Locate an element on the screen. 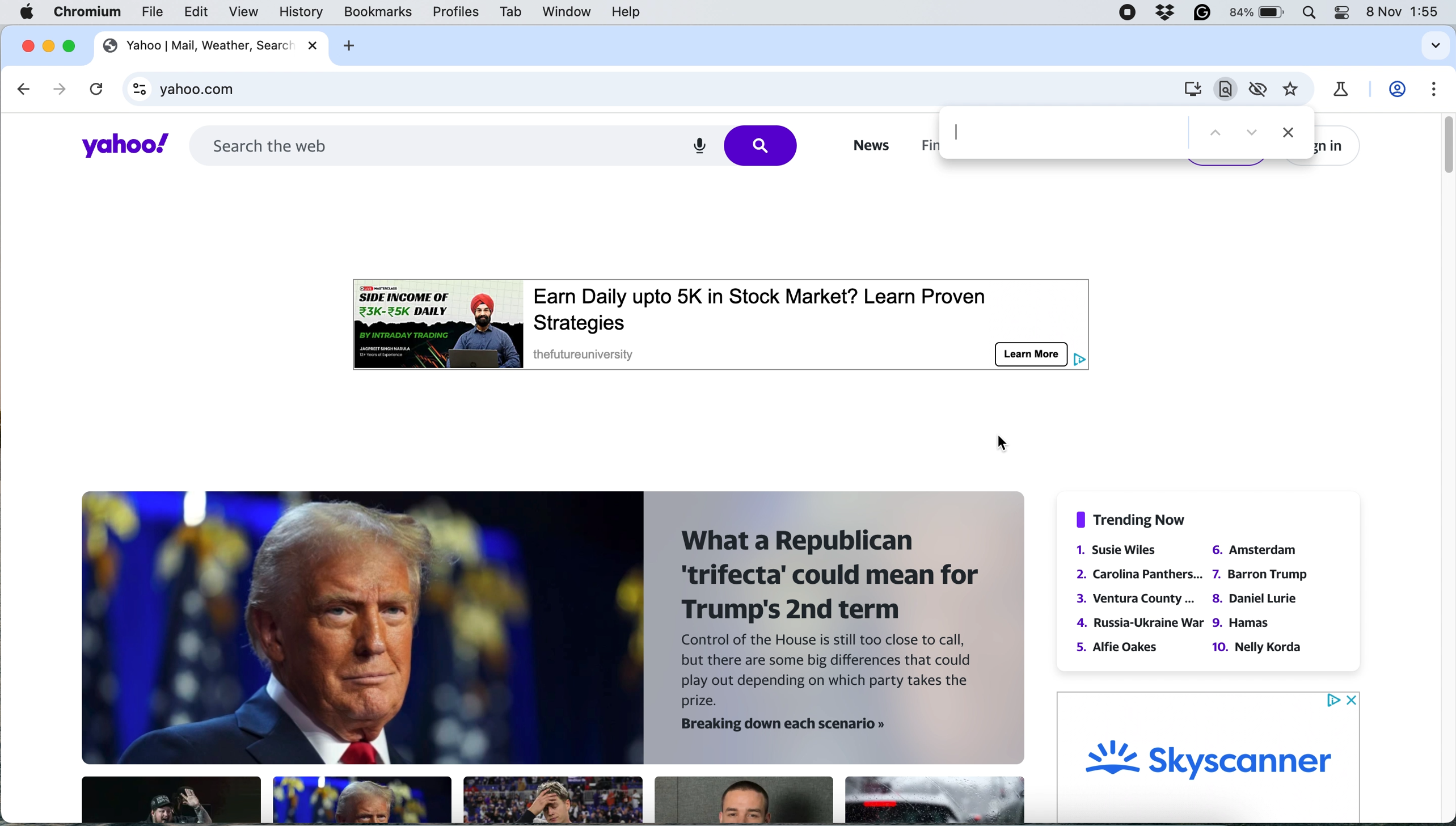  News Article  is located at coordinates (744, 800).